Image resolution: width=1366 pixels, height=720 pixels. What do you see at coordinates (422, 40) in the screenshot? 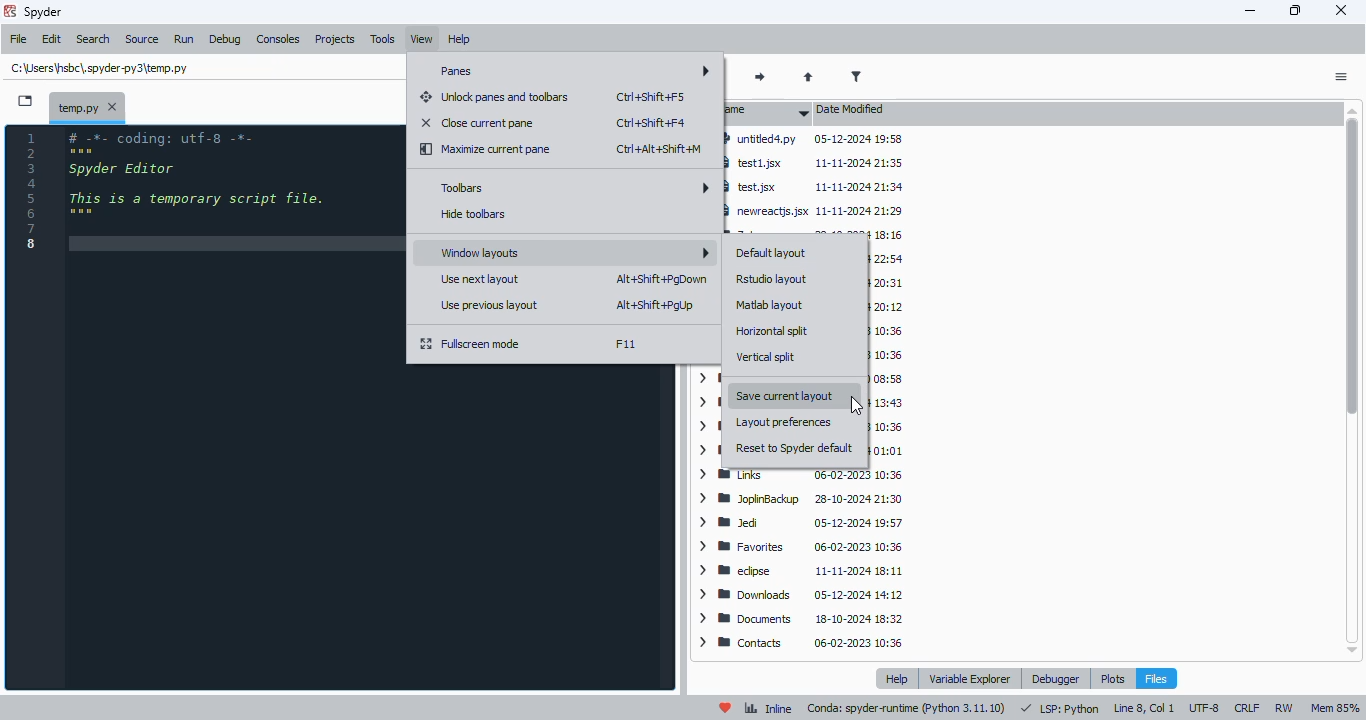
I see `view` at bounding box center [422, 40].